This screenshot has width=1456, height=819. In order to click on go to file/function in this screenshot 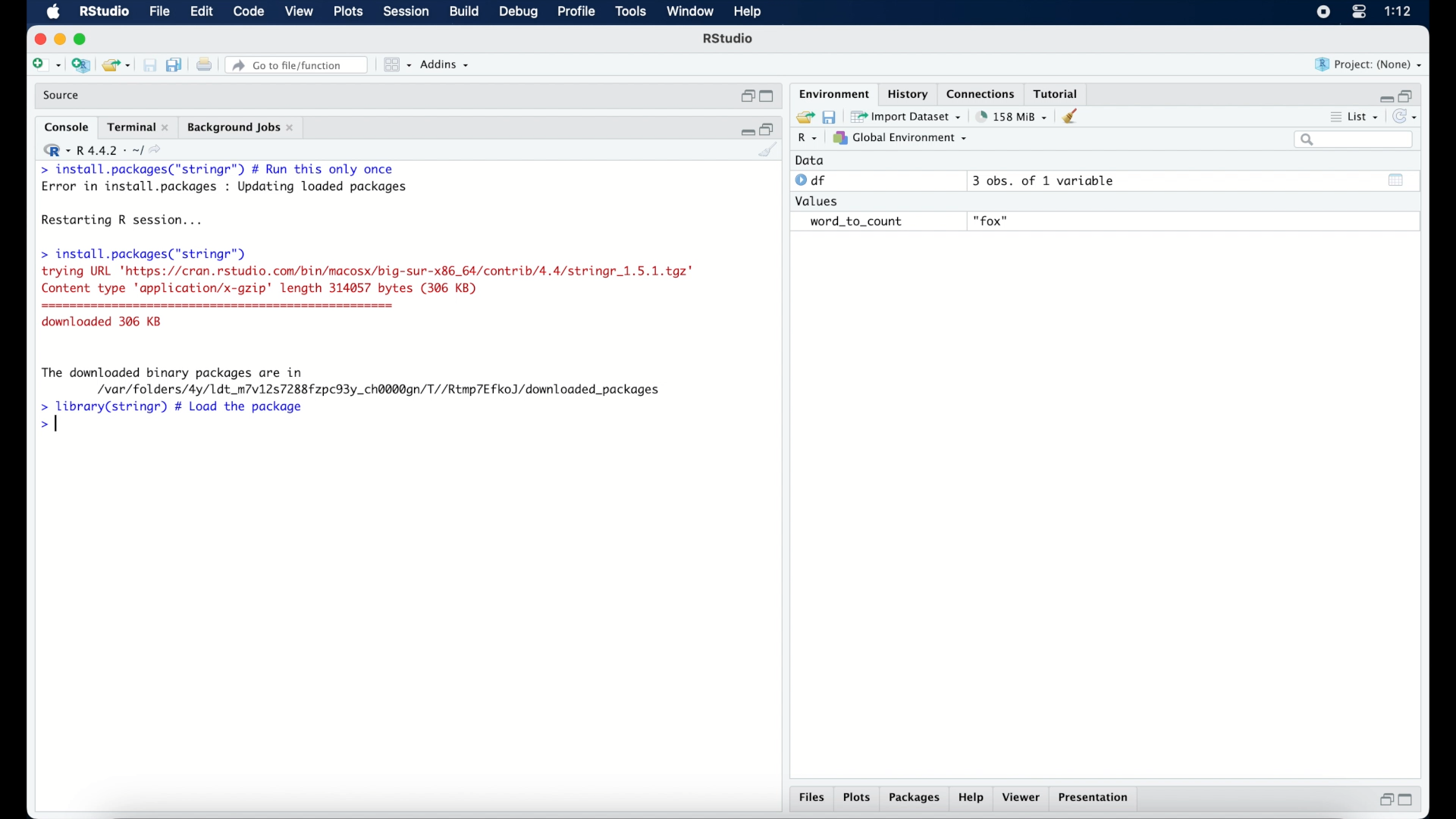, I will do `click(300, 65)`.